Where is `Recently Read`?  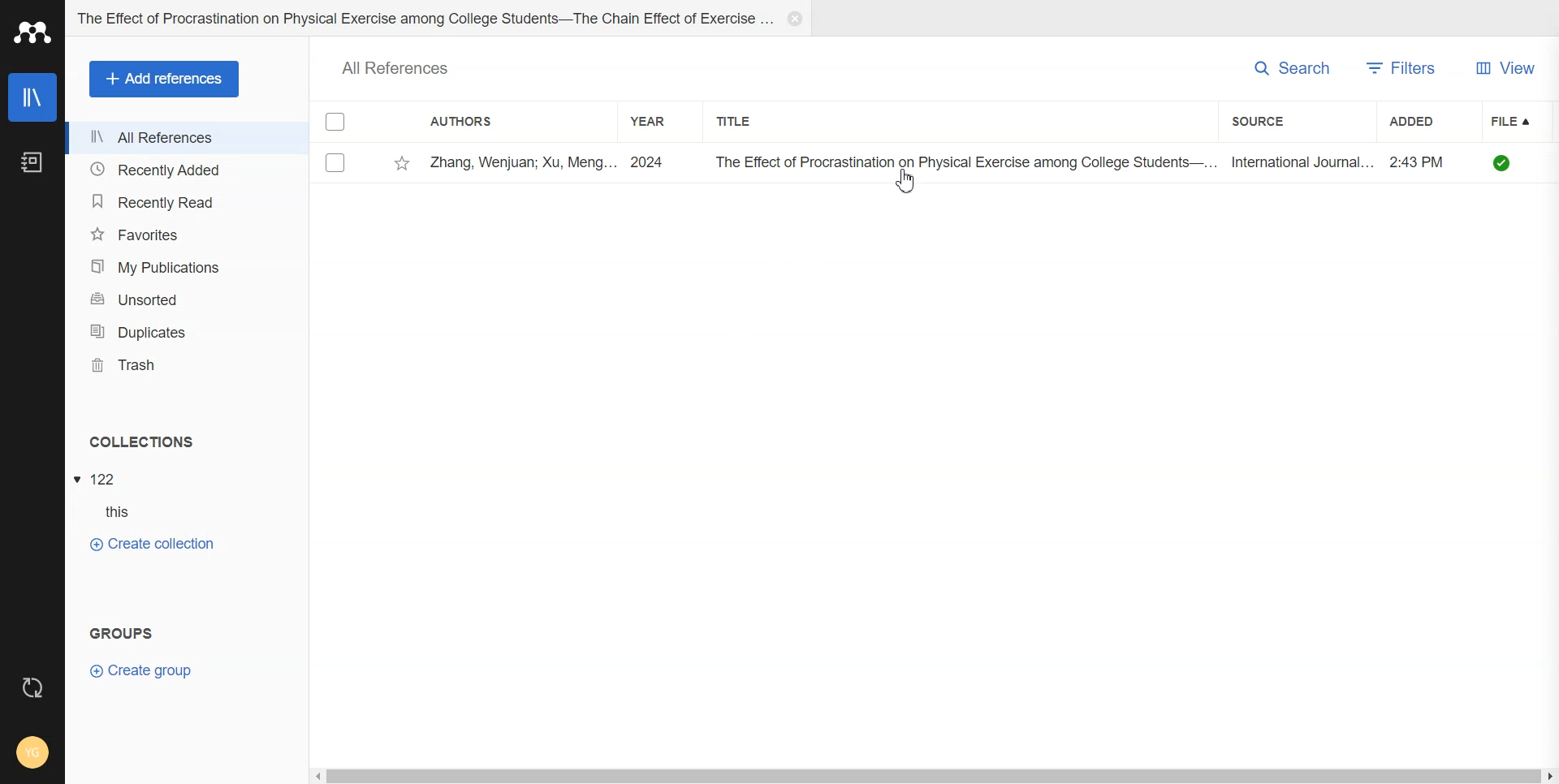
Recently Read is located at coordinates (186, 200).